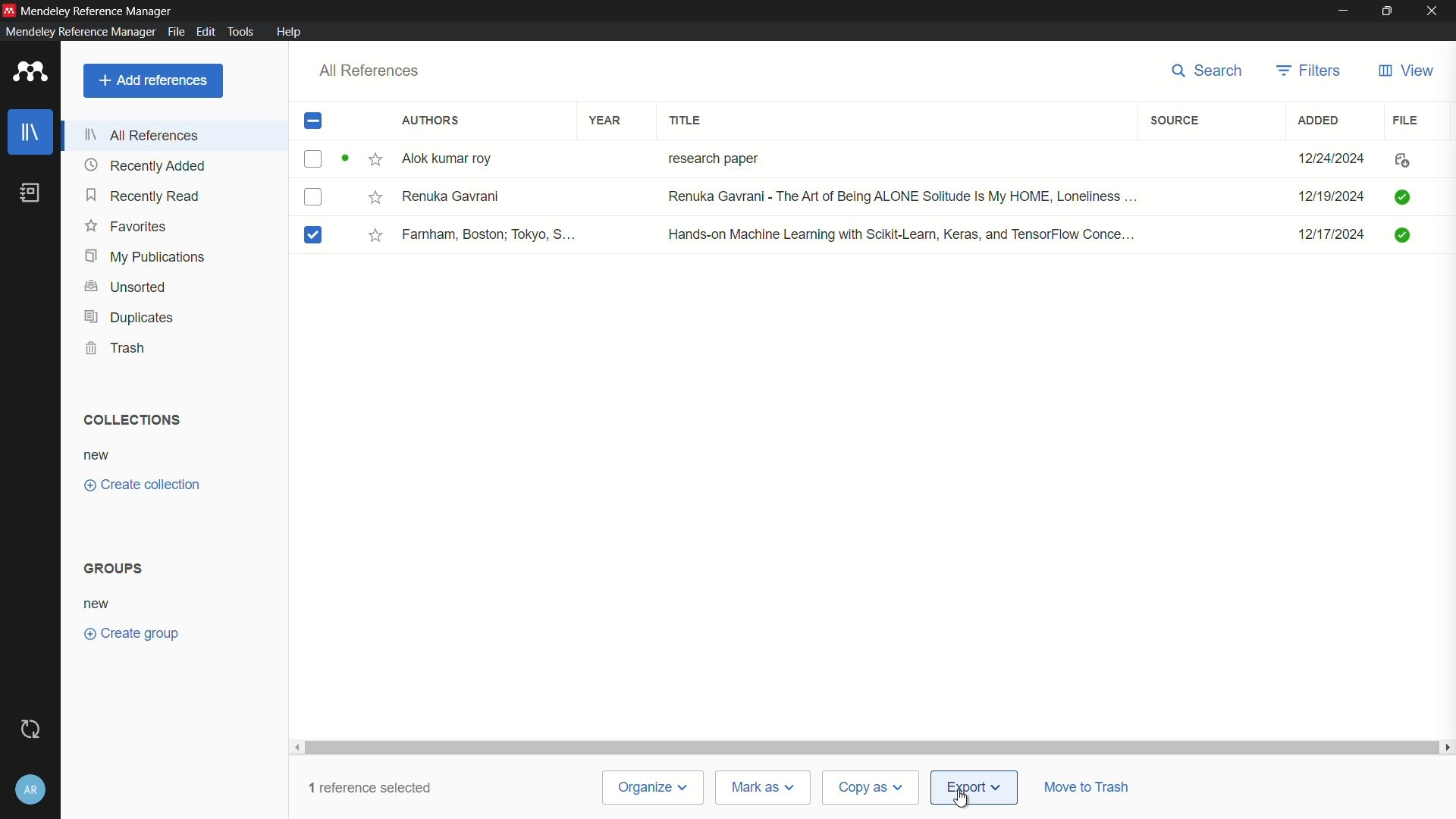  Describe the element at coordinates (30, 792) in the screenshot. I see `account and help` at that location.